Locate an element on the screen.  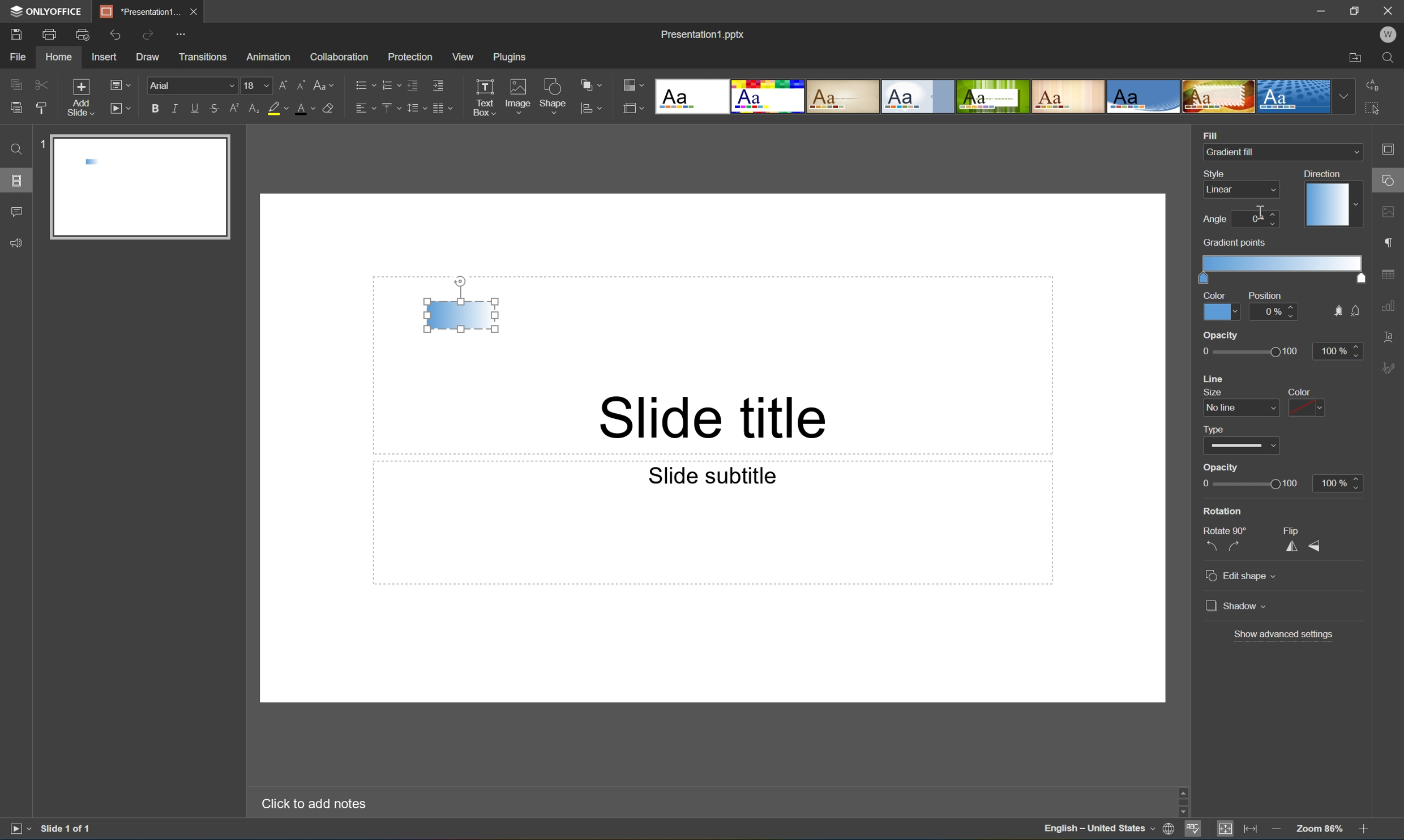
fill is located at coordinates (1336, 311).